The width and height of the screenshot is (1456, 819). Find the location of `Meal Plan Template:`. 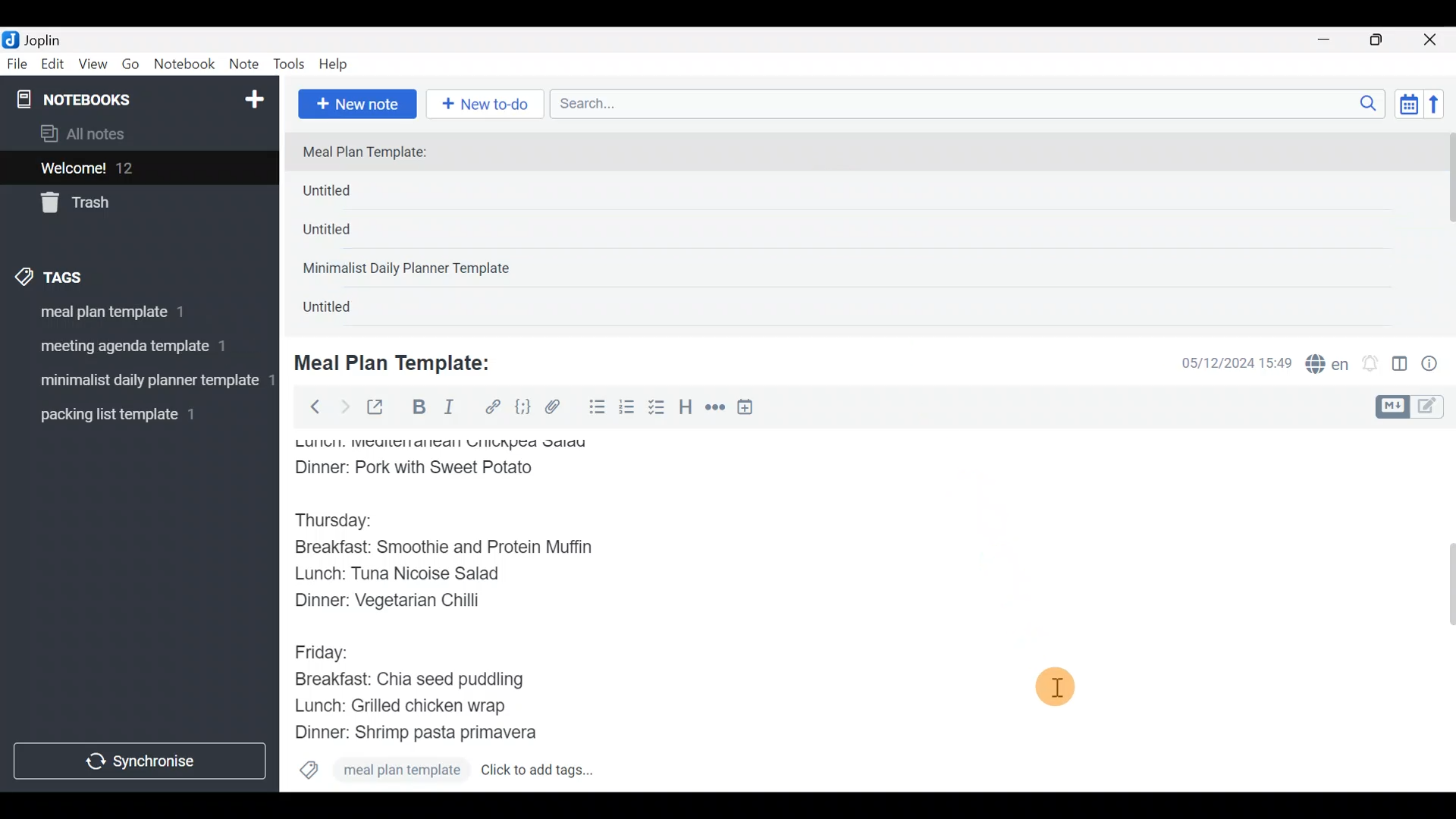

Meal Plan Template: is located at coordinates (374, 152).